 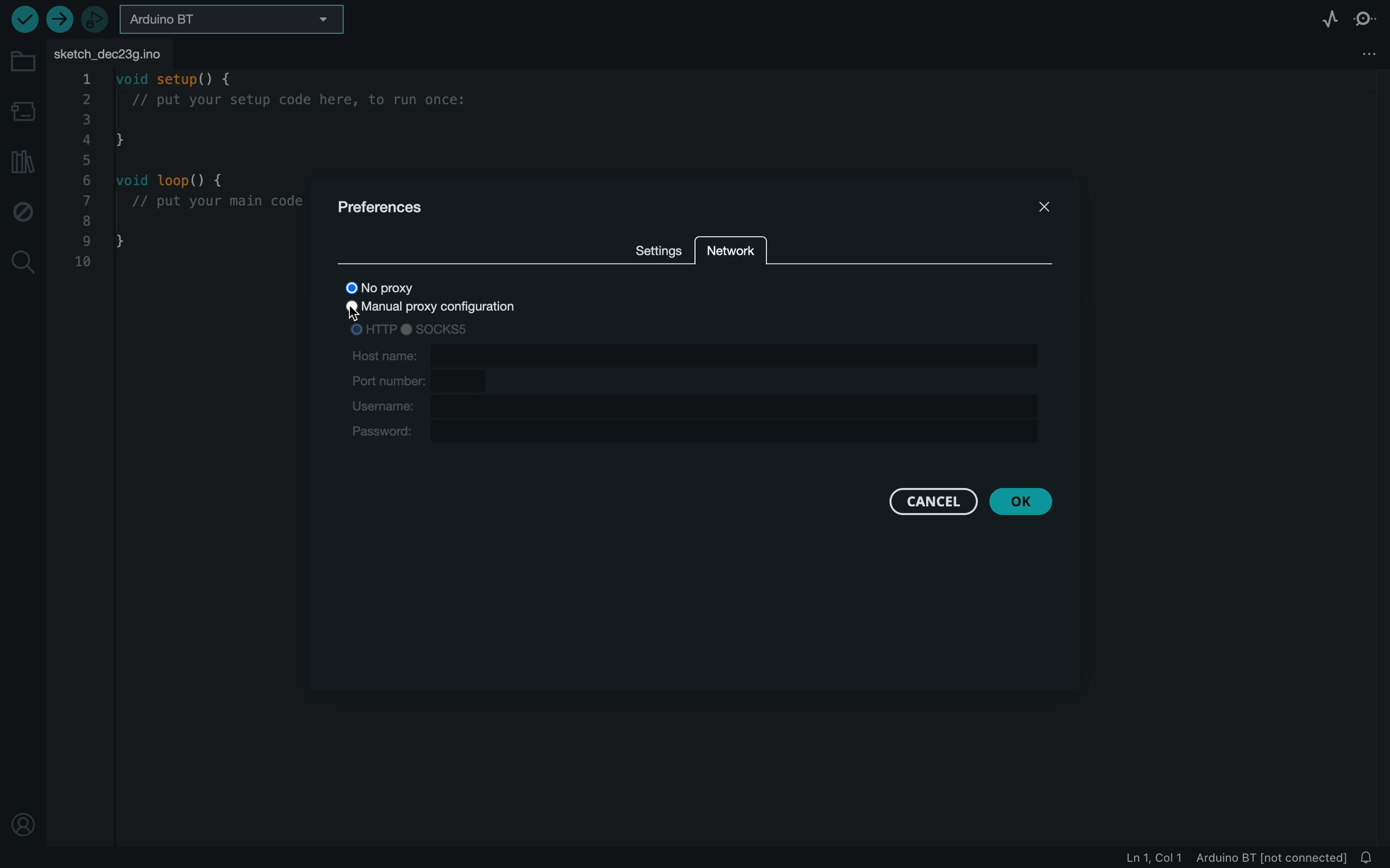 What do you see at coordinates (22, 263) in the screenshot?
I see `search` at bounding box center [22, 263].